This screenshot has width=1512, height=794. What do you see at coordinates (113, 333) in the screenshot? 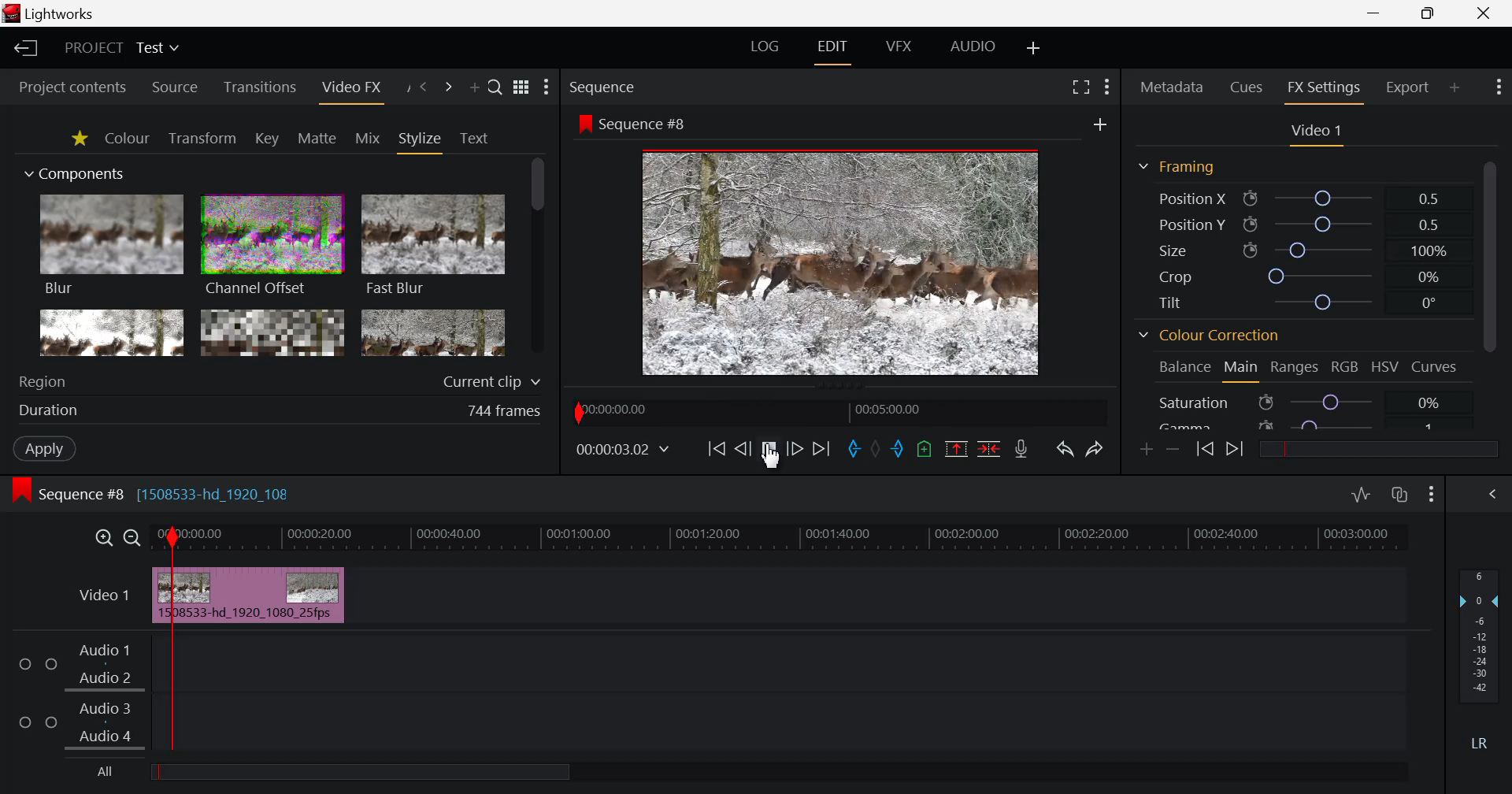
I see `Glow` at bounding box center [113, 333].